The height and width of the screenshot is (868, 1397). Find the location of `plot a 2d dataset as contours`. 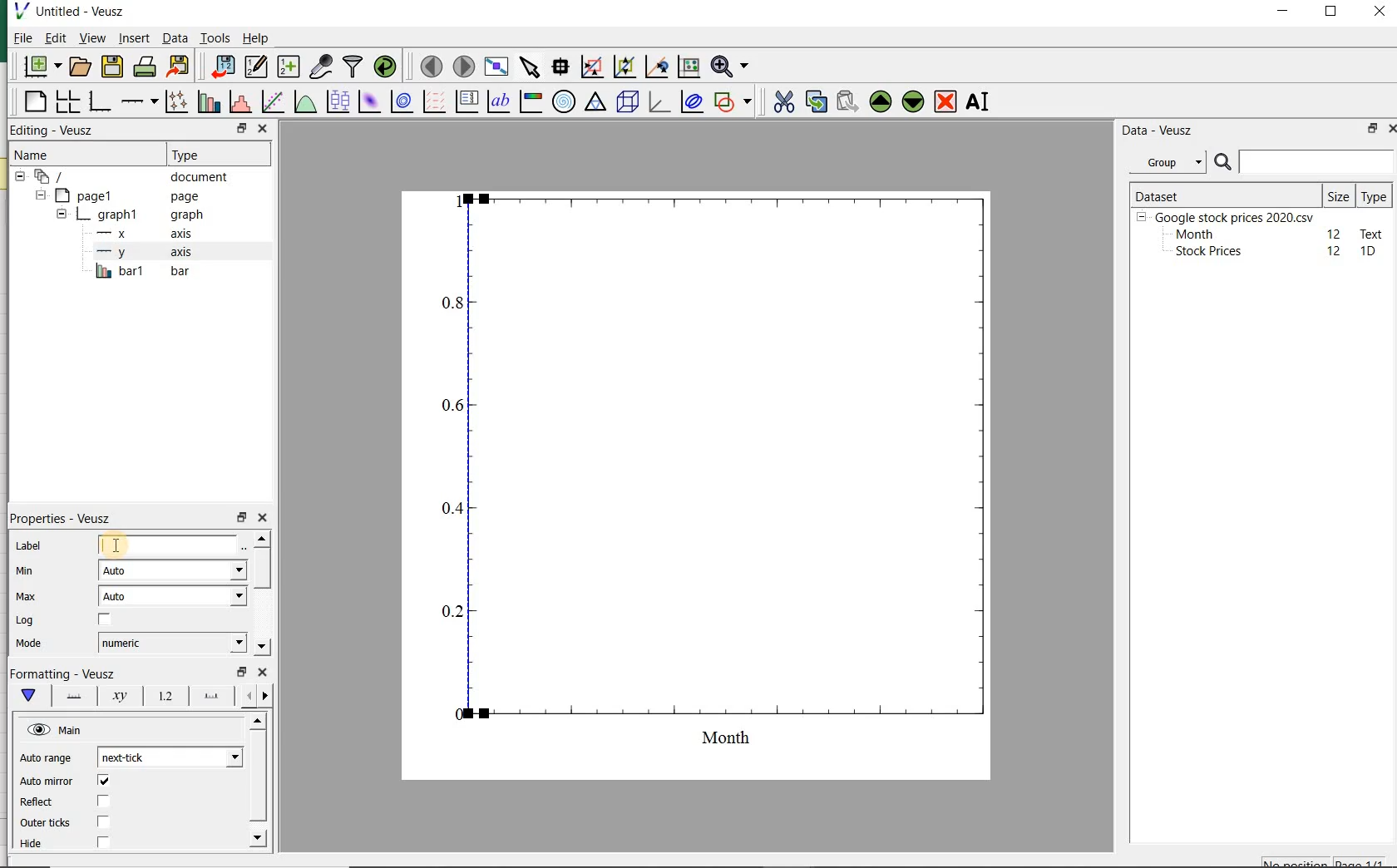

plot a 2d dataset as contours is located at coordinates (399, 103).